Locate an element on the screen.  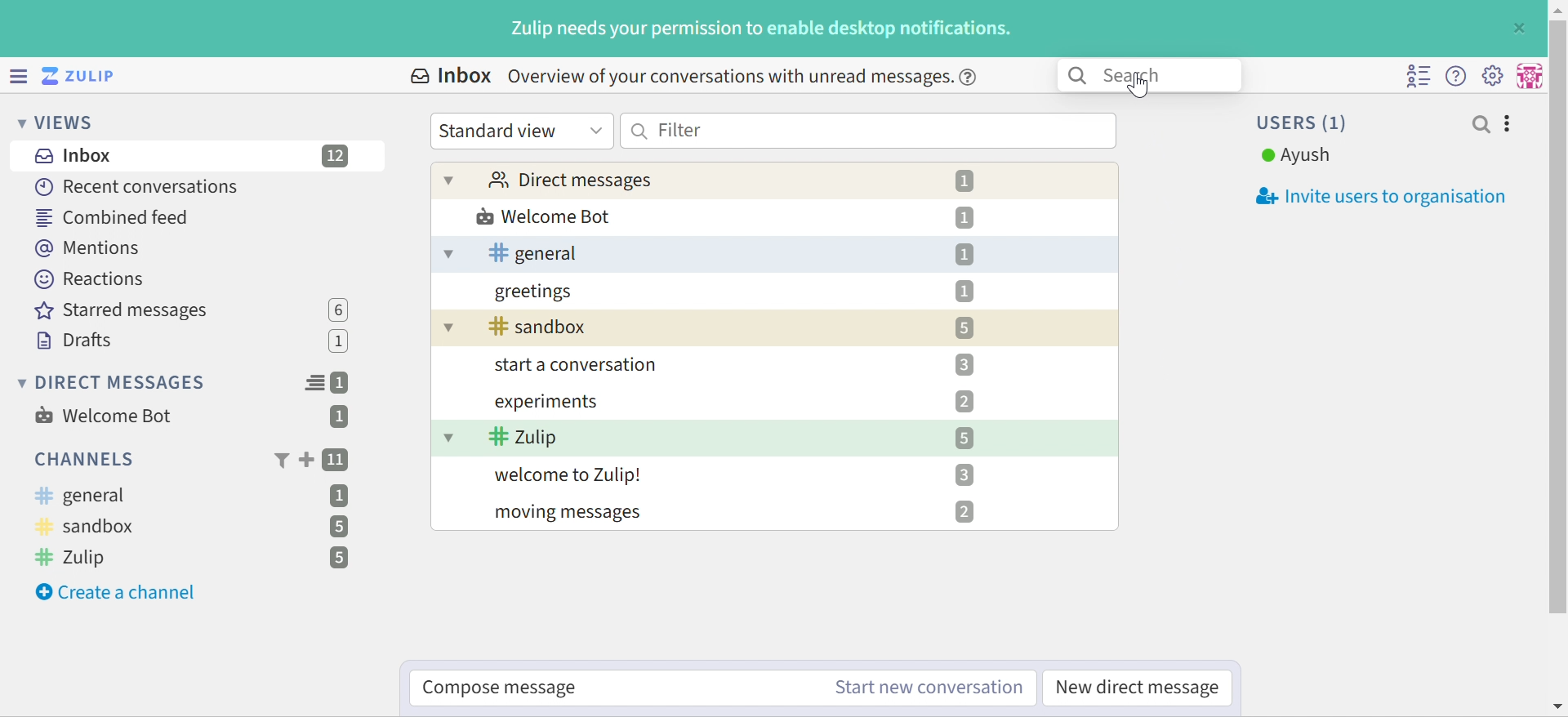
experiments is located at coordinates (549, 401).